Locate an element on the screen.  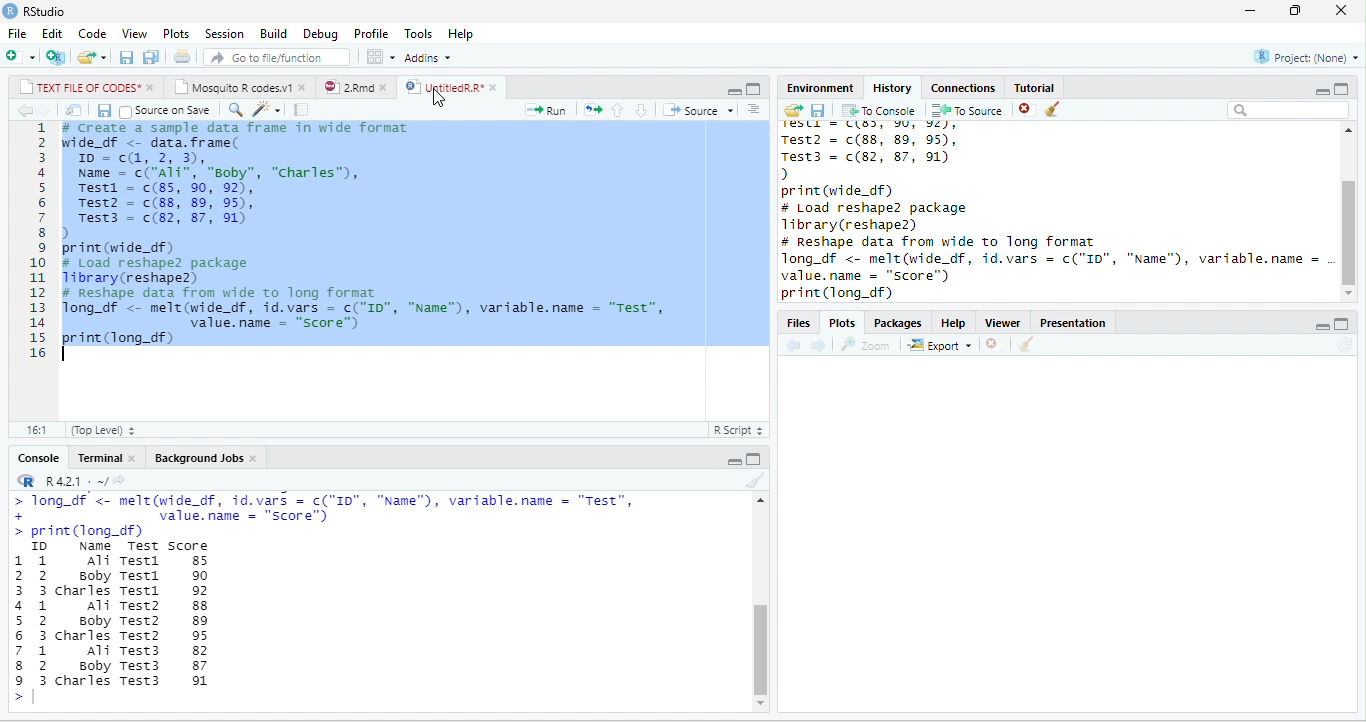
back is located at coordinates (794, 346).